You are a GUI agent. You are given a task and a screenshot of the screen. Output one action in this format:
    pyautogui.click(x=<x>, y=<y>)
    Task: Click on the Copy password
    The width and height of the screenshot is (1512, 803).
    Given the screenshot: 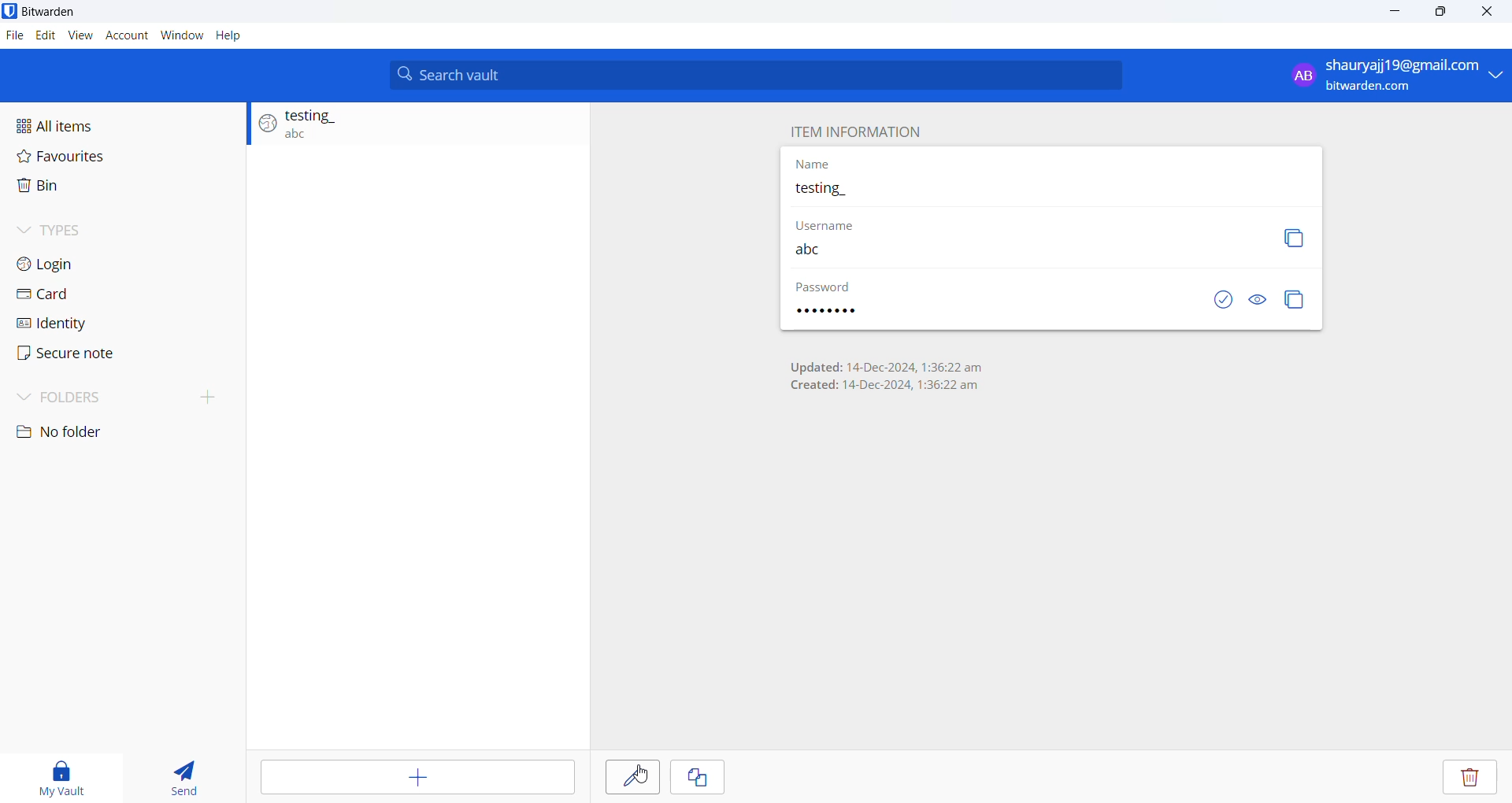 What is the action you would take?
    pyautogui.click(x=1296, y=300)
    